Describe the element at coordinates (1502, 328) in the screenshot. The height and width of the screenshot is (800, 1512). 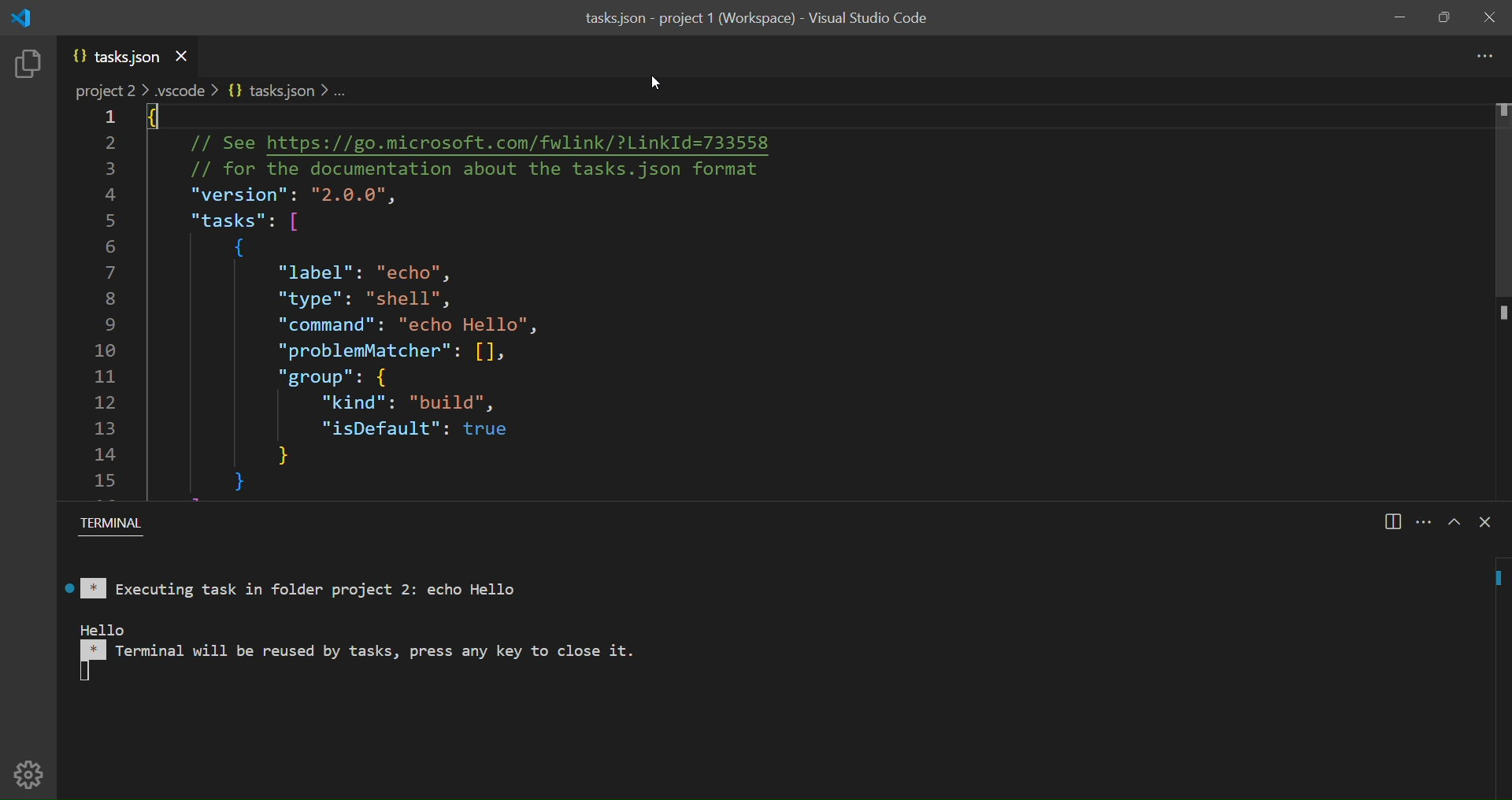
I see `scroll bar` at that location.